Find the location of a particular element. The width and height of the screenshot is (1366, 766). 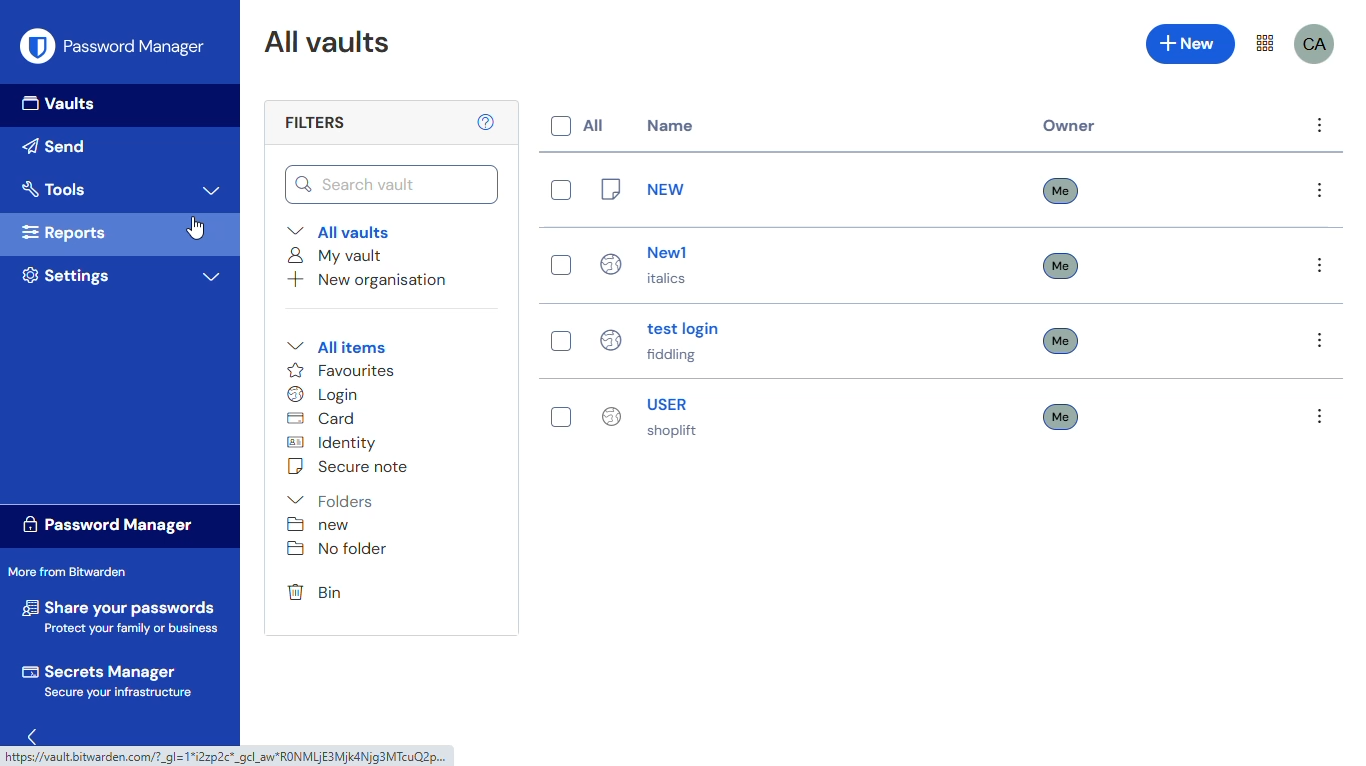

my vault is located at coordinates (337, 256).